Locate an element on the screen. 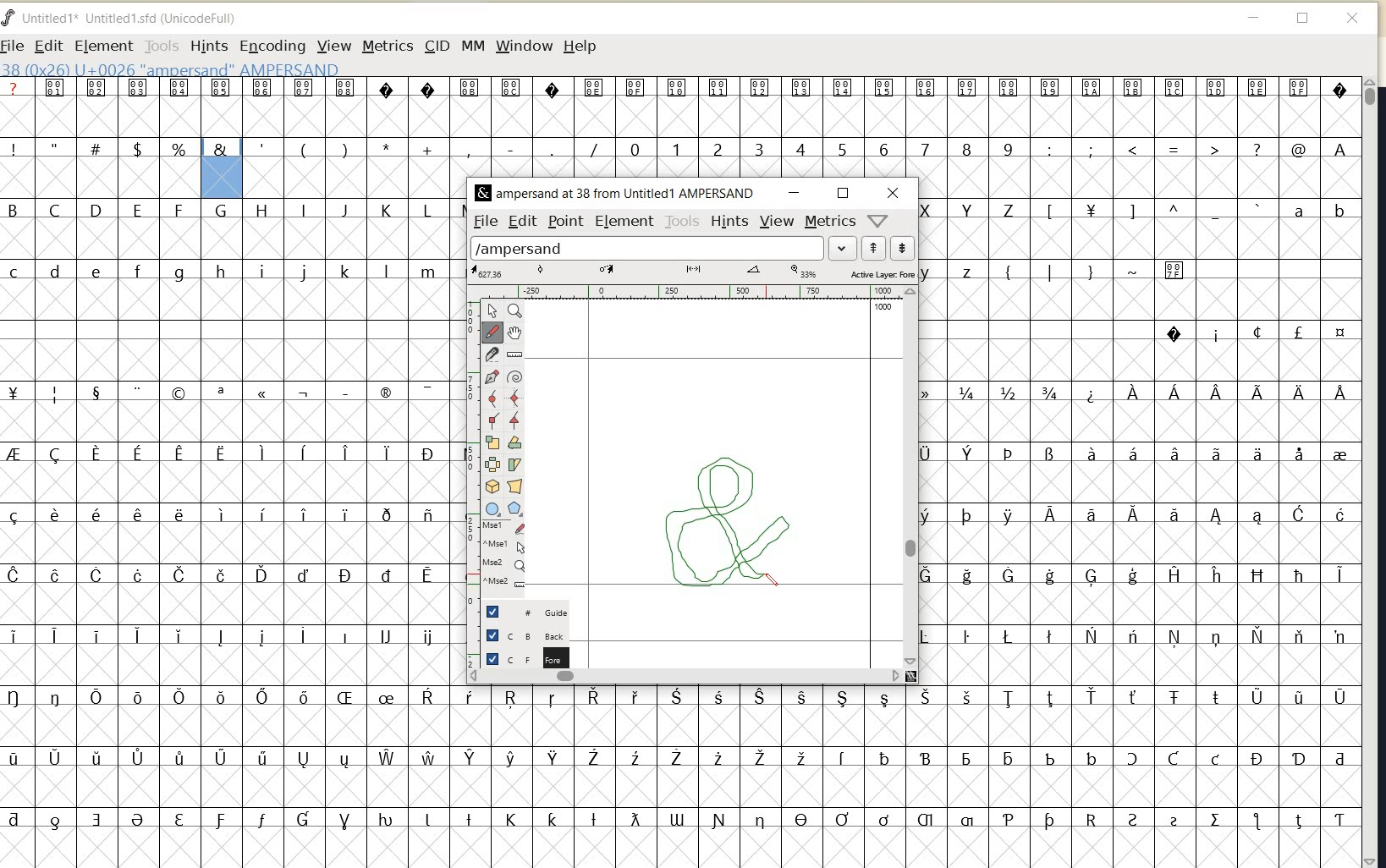  HINTS is located at coordinates (208, 47).